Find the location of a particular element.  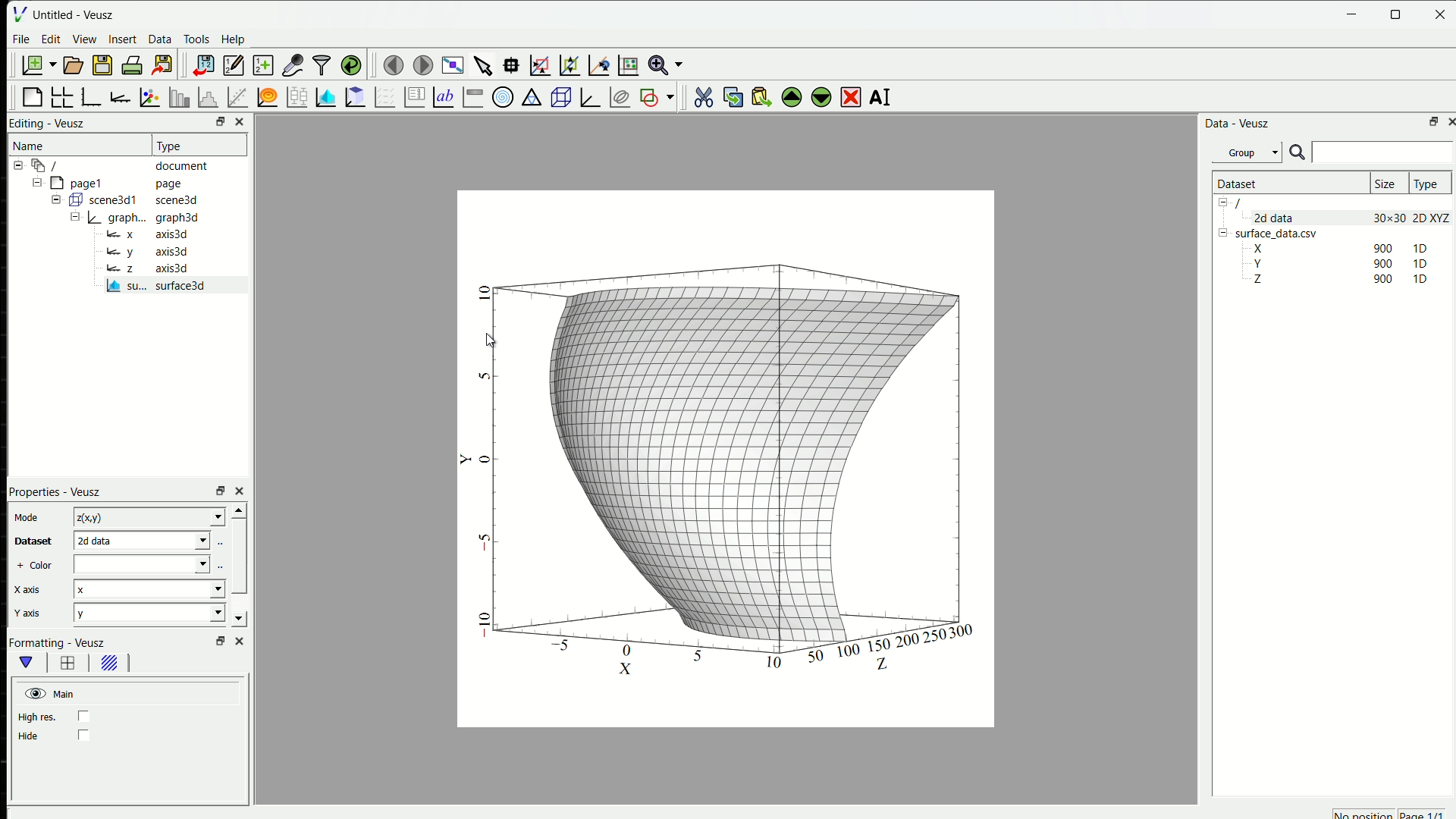

plot points with lines and errorbars is located at coordinates (152, 97).